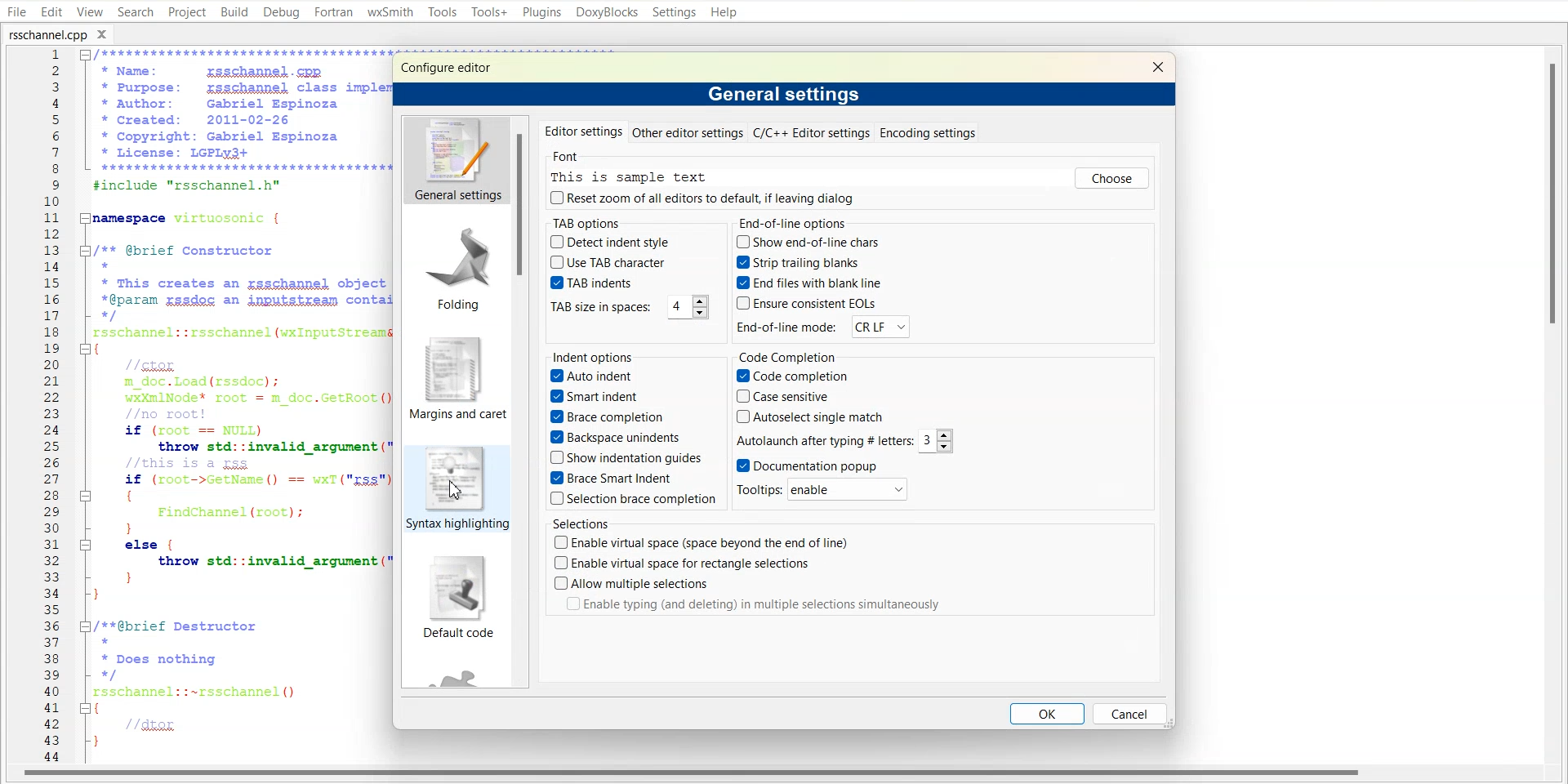  Describe the element at coordinates (39, 406) in the screenshot. I see `Line Number` at that location.